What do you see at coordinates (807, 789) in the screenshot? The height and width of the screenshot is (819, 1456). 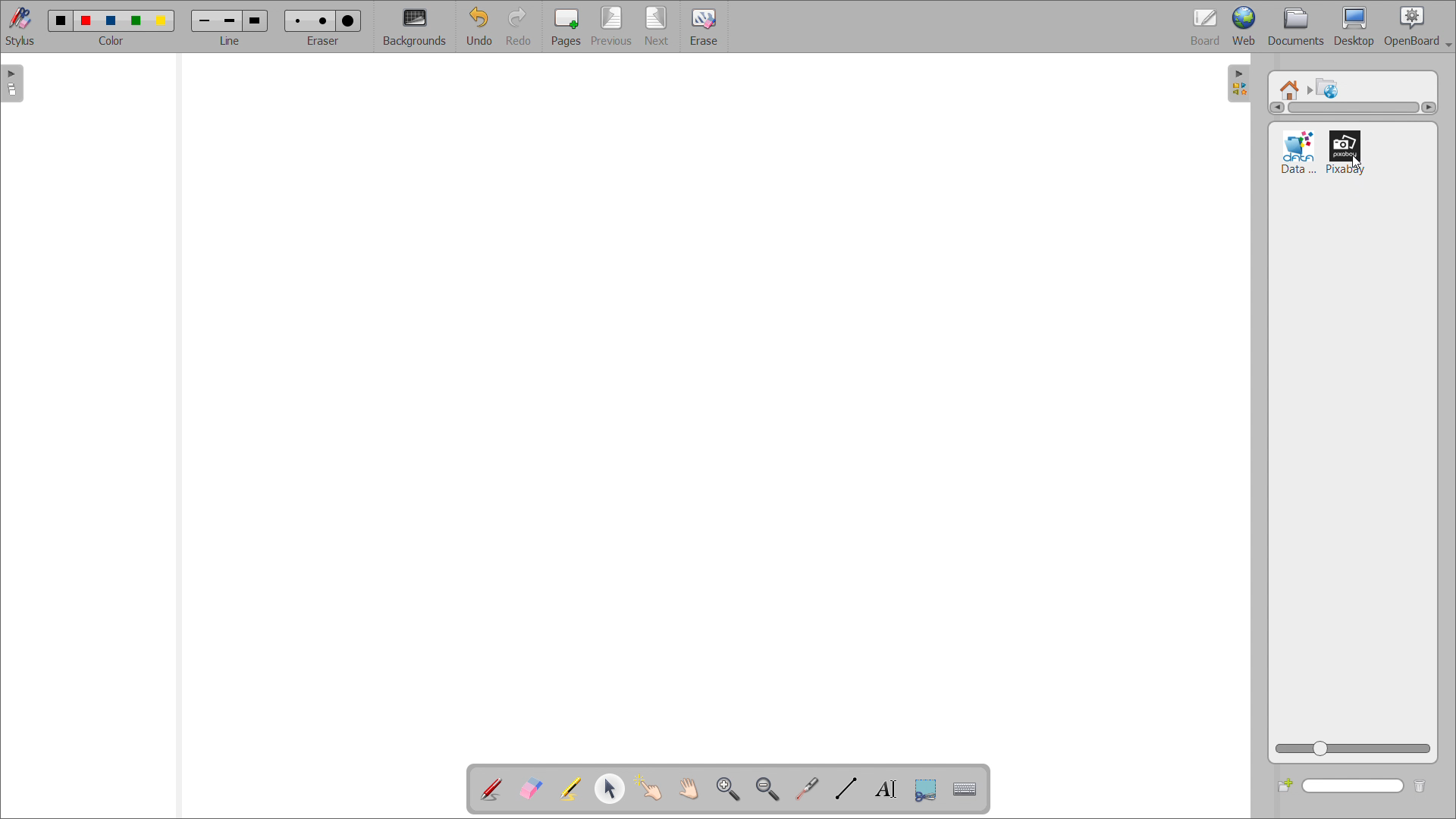 I see `virtual laser pointer` at bounding box center [807, 789].